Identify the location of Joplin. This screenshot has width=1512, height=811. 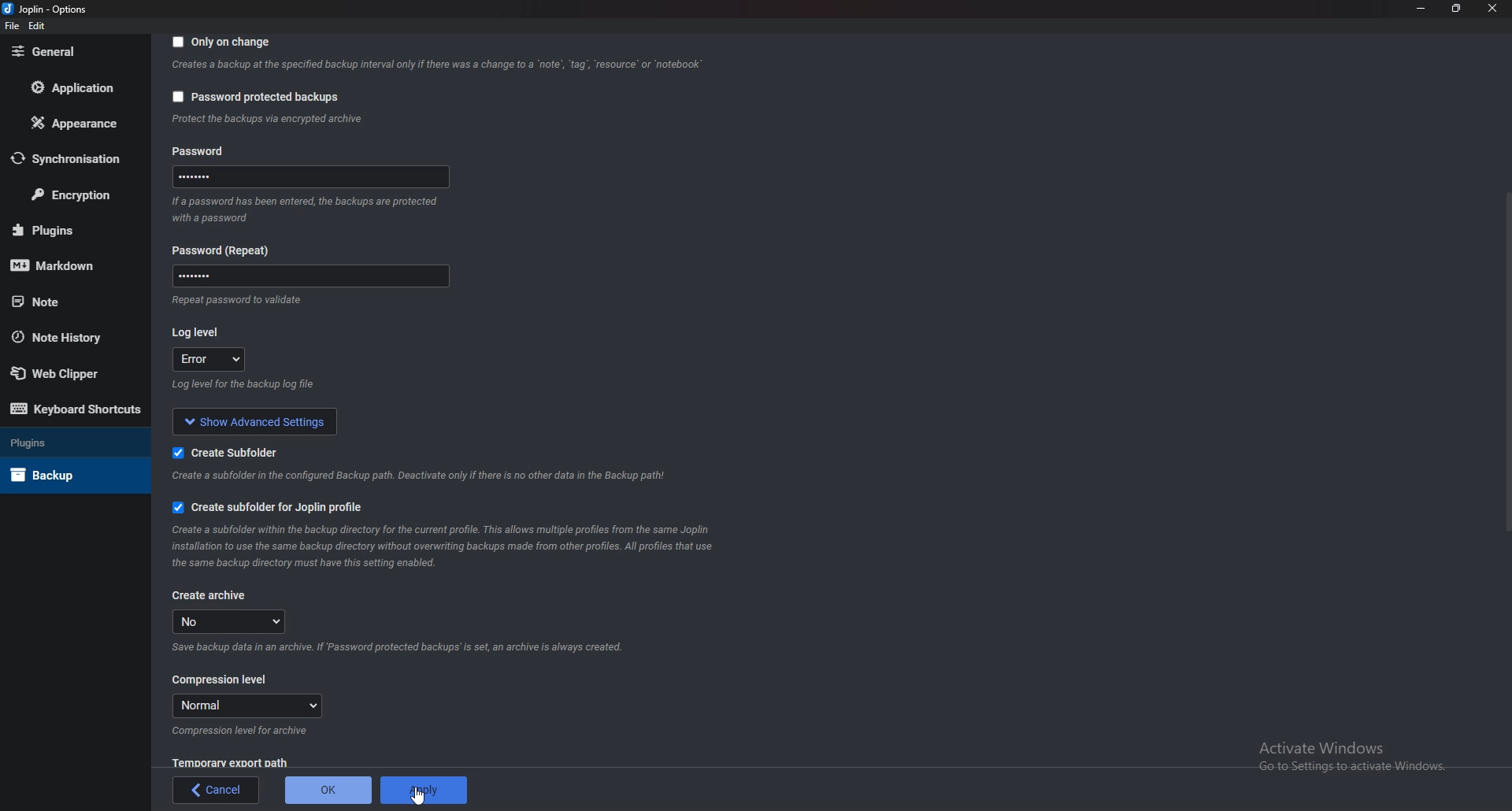
(43, 9).